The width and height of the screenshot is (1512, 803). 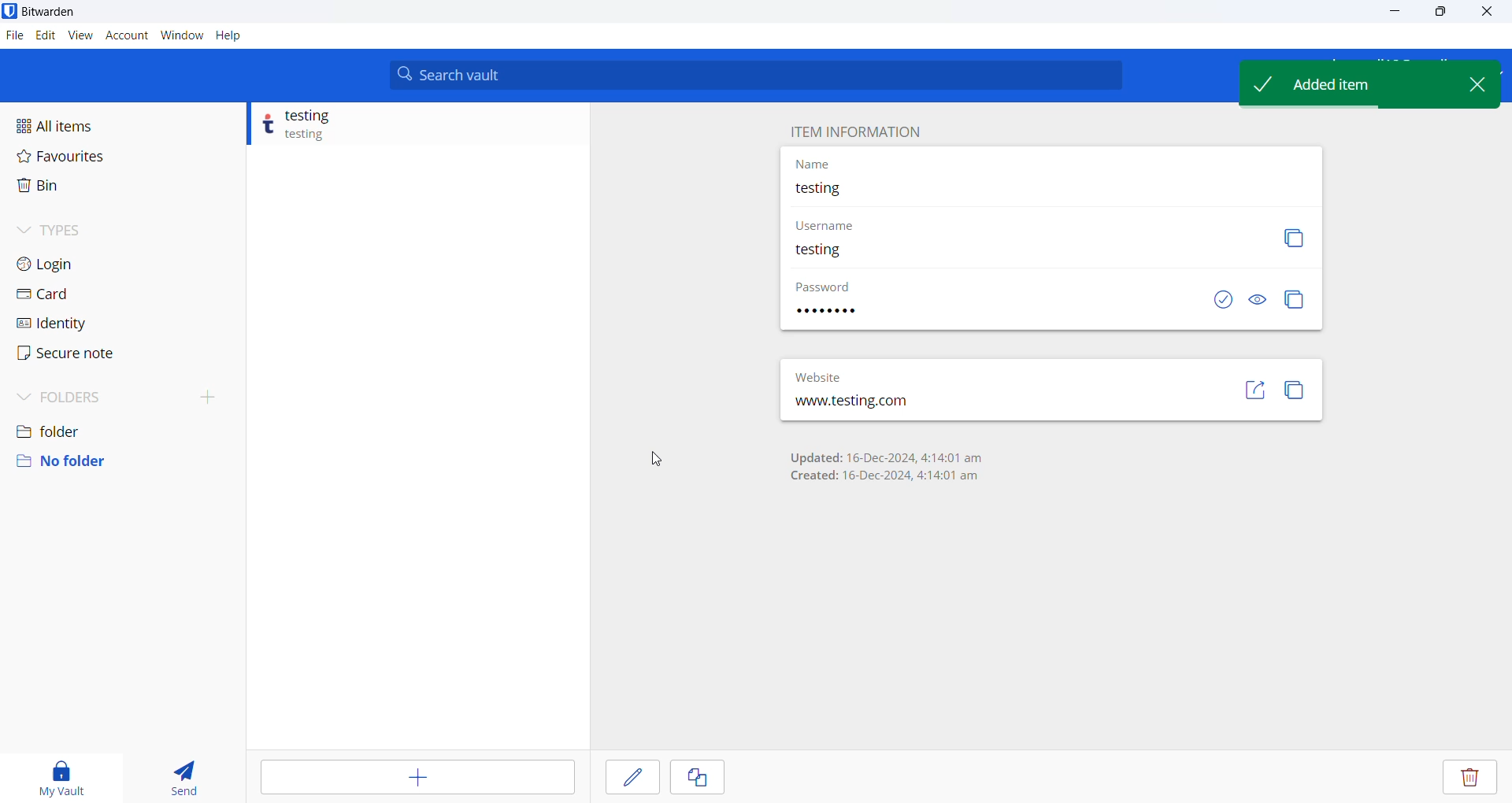 I want to click on identity, so click(x=82, y=324).